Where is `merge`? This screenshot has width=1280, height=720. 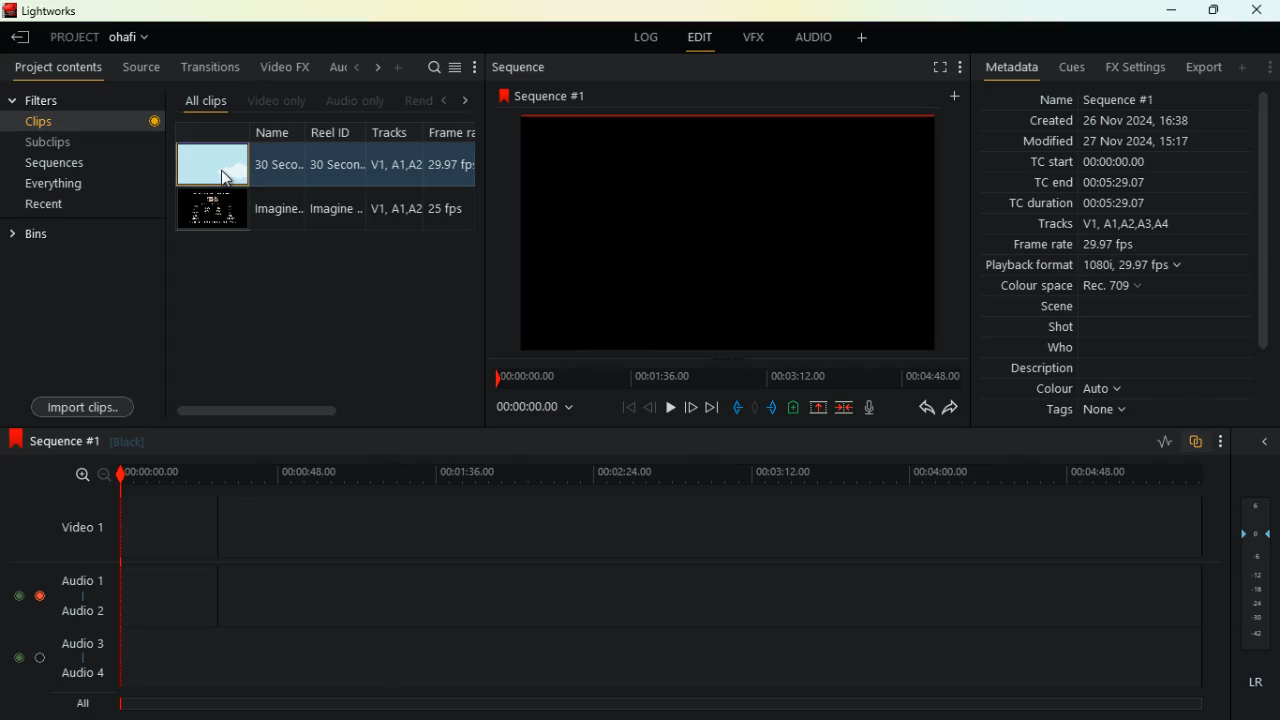 merge is located at coordinates (845, 408).